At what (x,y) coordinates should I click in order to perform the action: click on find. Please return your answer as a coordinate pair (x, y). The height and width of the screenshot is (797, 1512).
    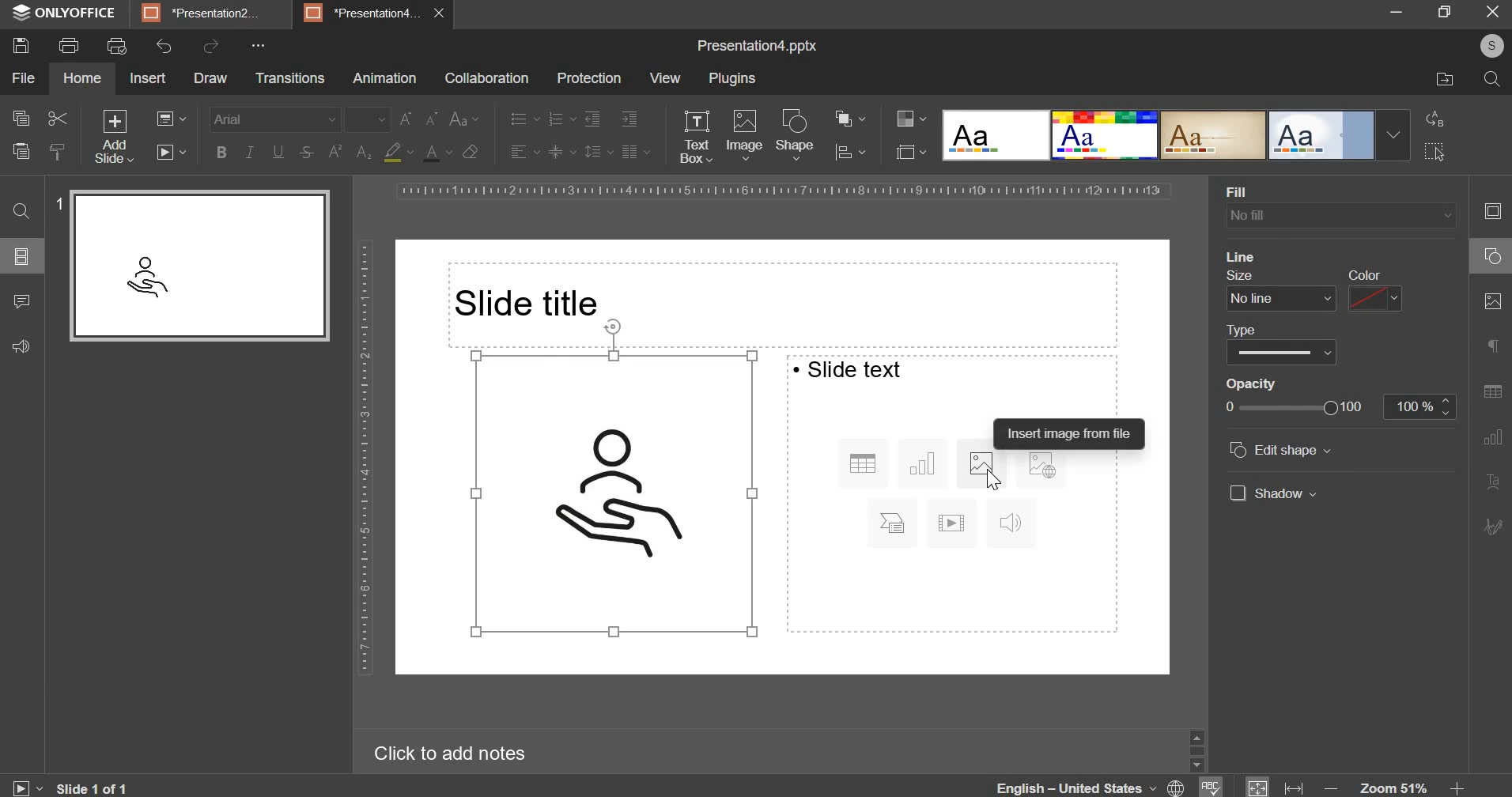
    Looking at the image, I should click on (22, 210).